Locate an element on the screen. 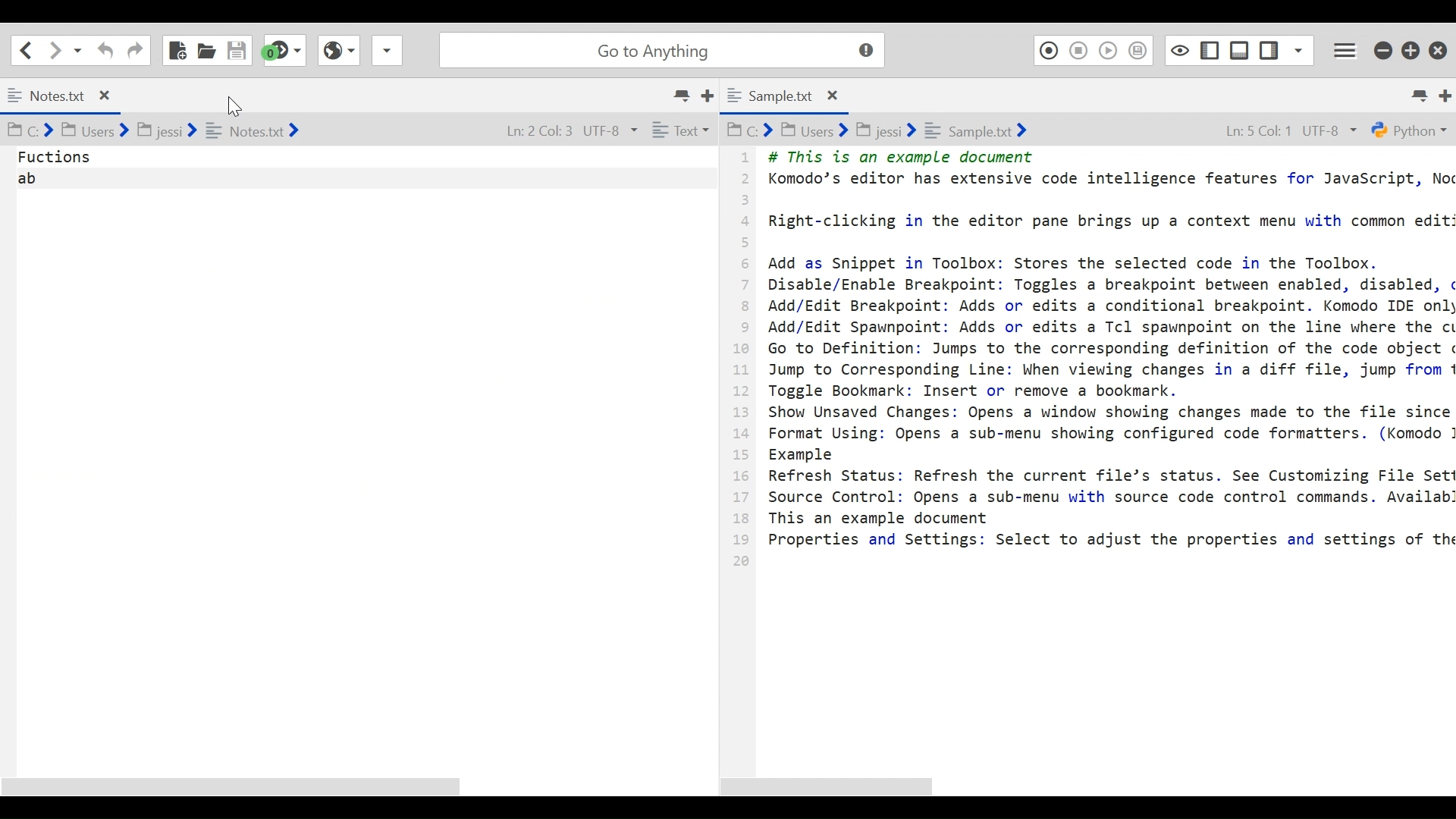  List all tabs is located at coordinates (1418, 93).